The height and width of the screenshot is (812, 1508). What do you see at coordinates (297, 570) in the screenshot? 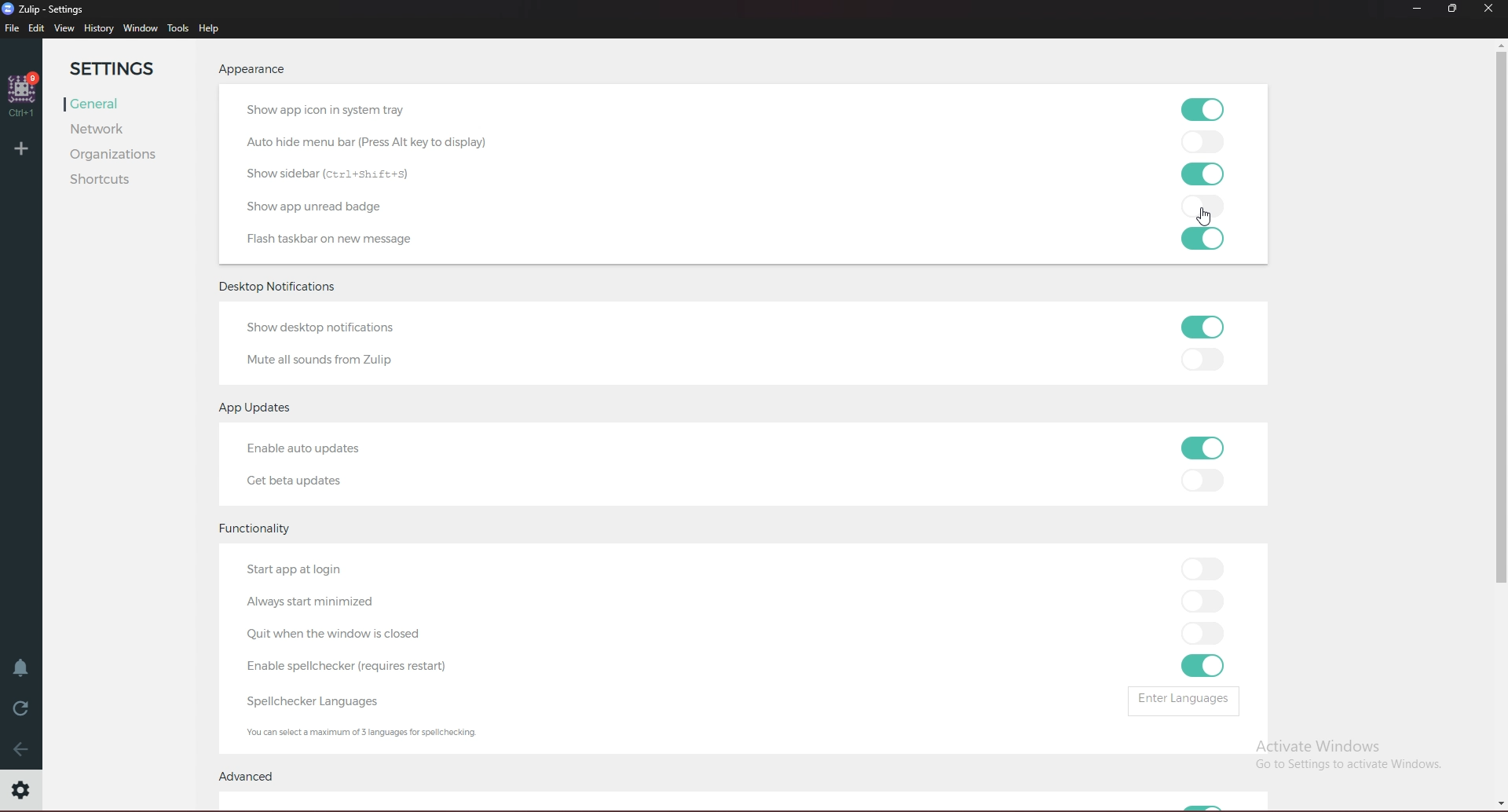
I see `start app at login` at bounding box center [297, 570].